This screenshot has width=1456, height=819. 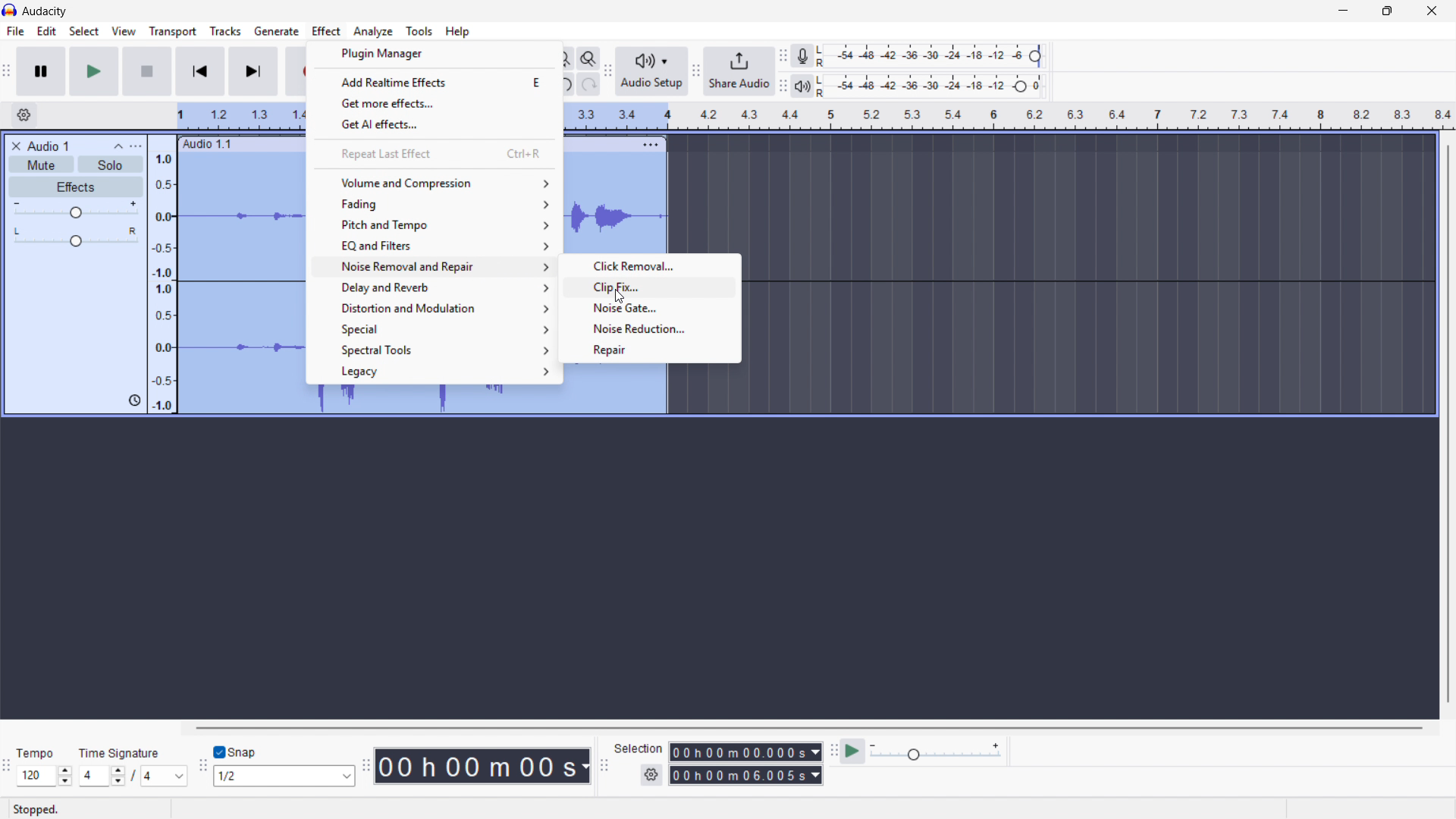 What do you see at coordinates (436, 102) in the screenshot?
I see `Get more effects ` at bounding box center [436, 102].